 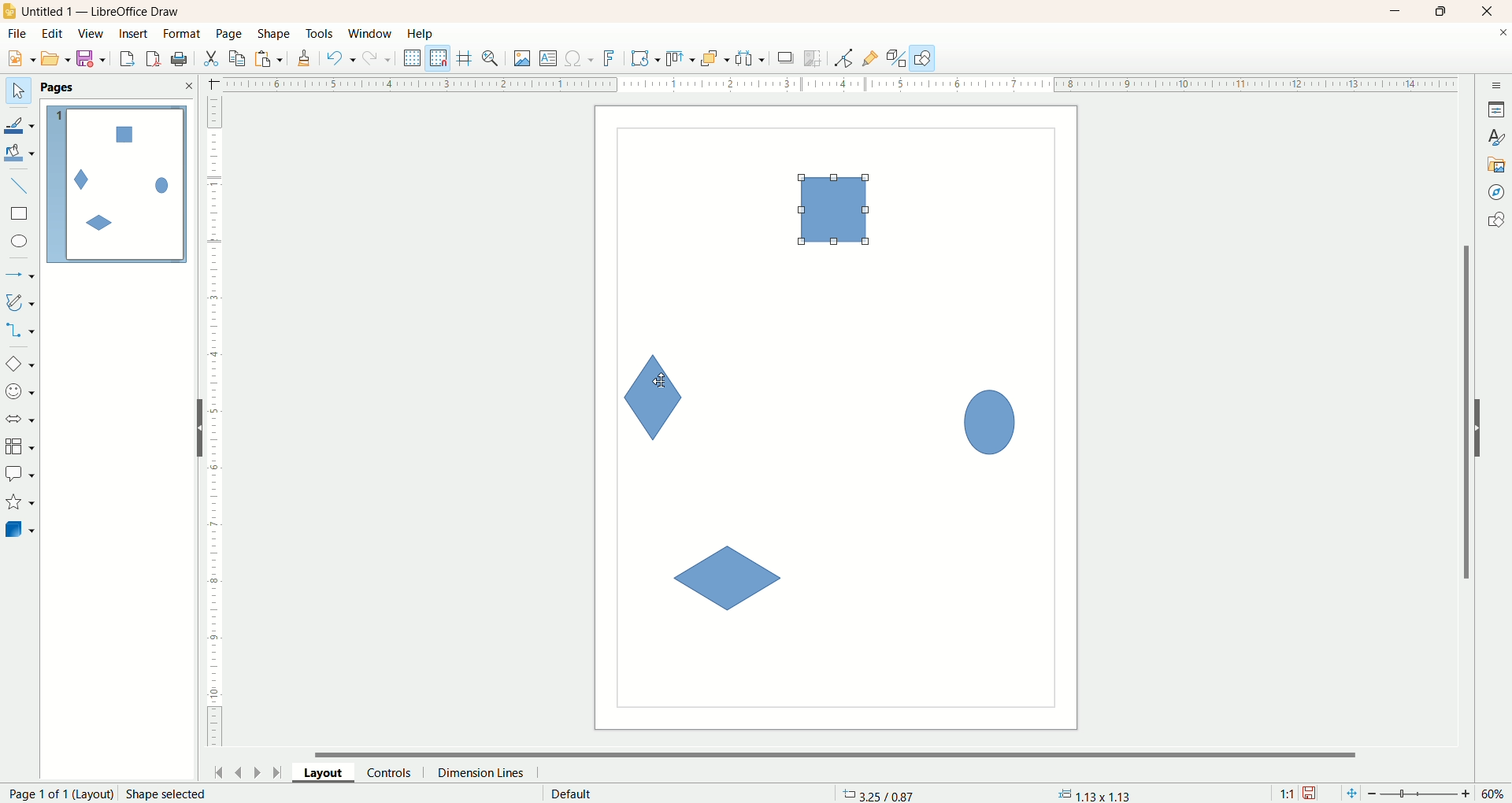 What do you see at coordinates (330, 772) in the screenshot?
I see `layout` at bounding box center [330, 772].